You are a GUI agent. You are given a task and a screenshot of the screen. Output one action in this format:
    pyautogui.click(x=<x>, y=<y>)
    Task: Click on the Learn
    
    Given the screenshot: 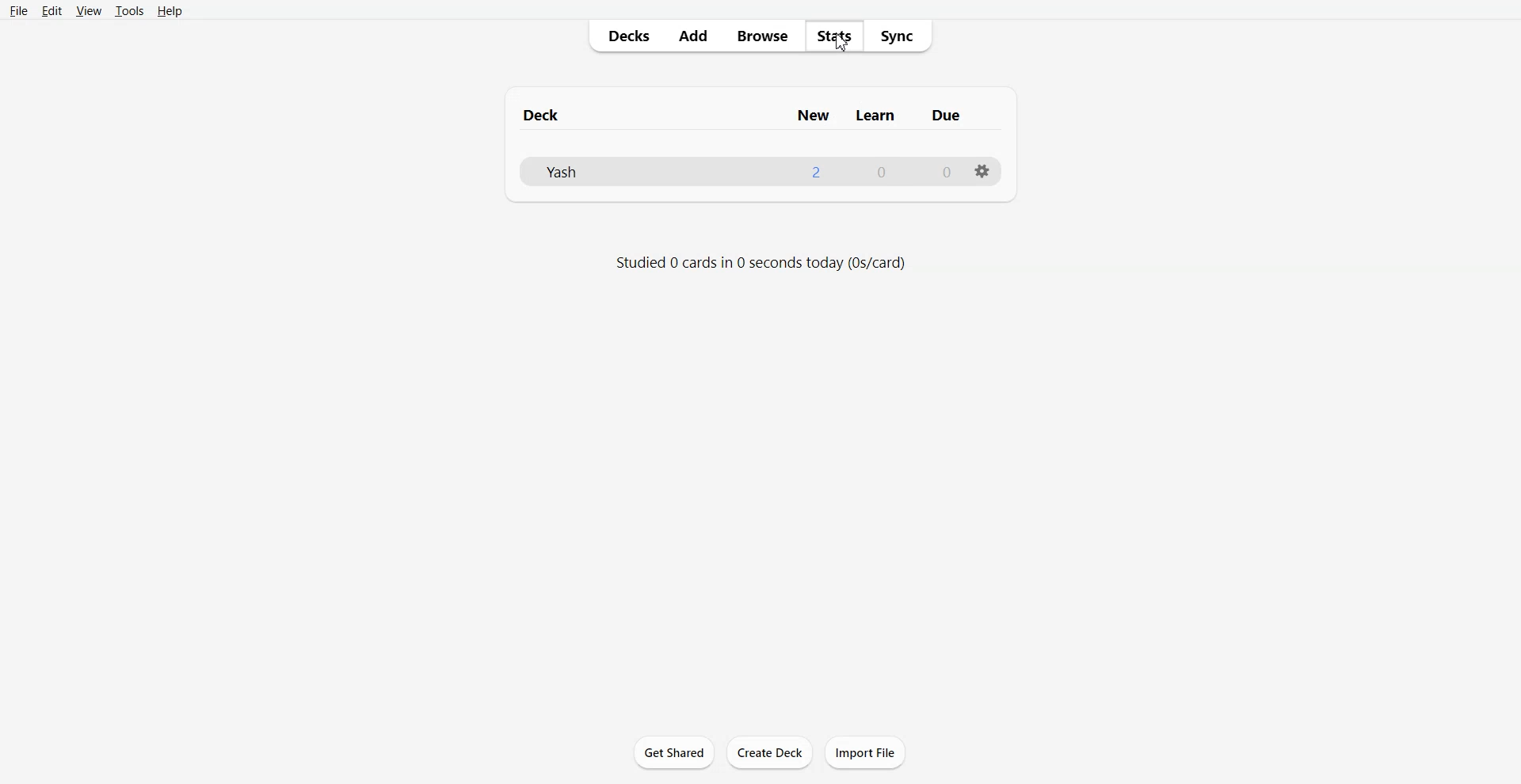 What is the action you would take?
    pyautogui.click(x=880, y=112)
    